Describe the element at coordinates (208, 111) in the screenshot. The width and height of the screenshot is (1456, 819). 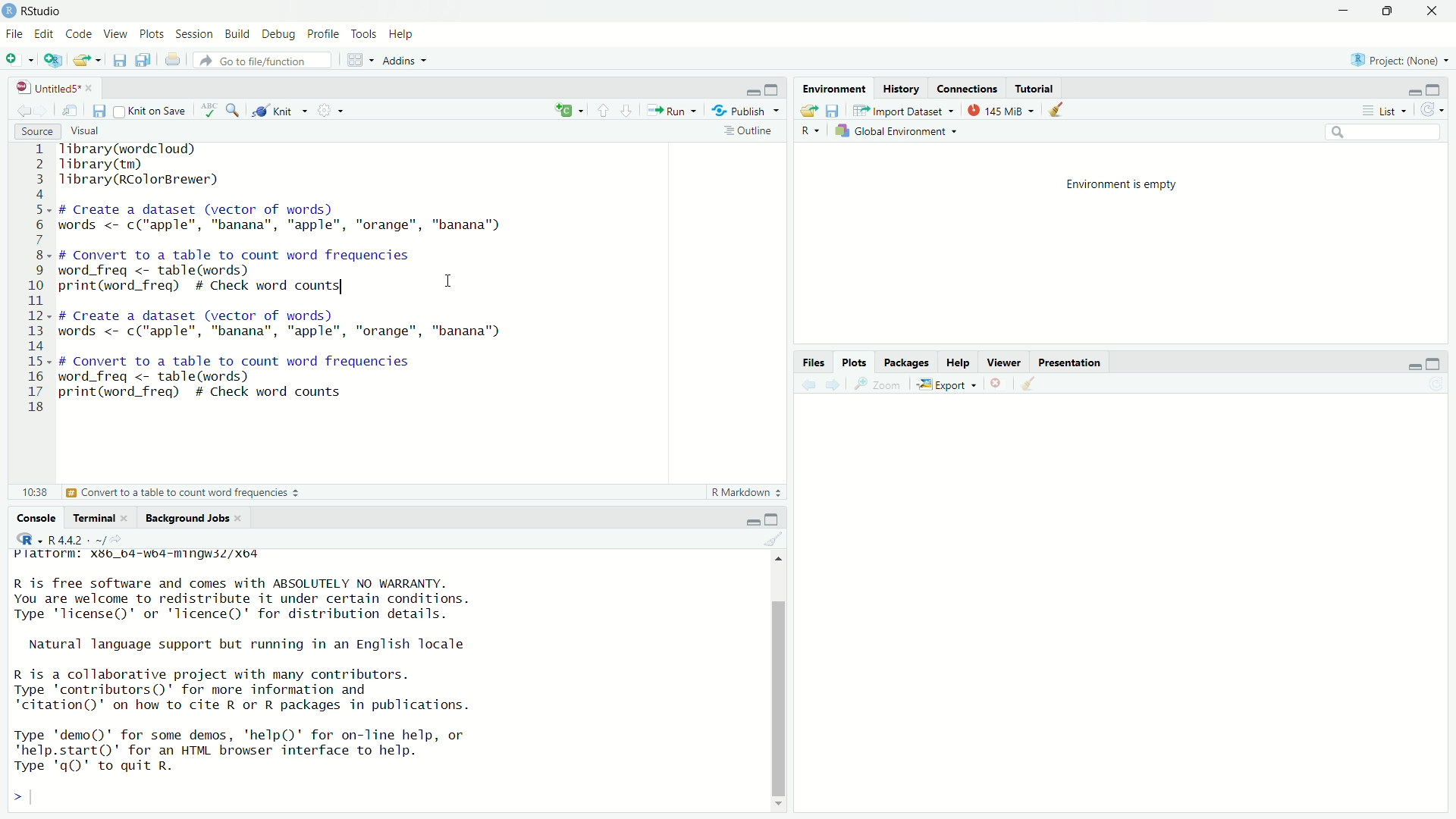
I see `Check Spelling` at that location.